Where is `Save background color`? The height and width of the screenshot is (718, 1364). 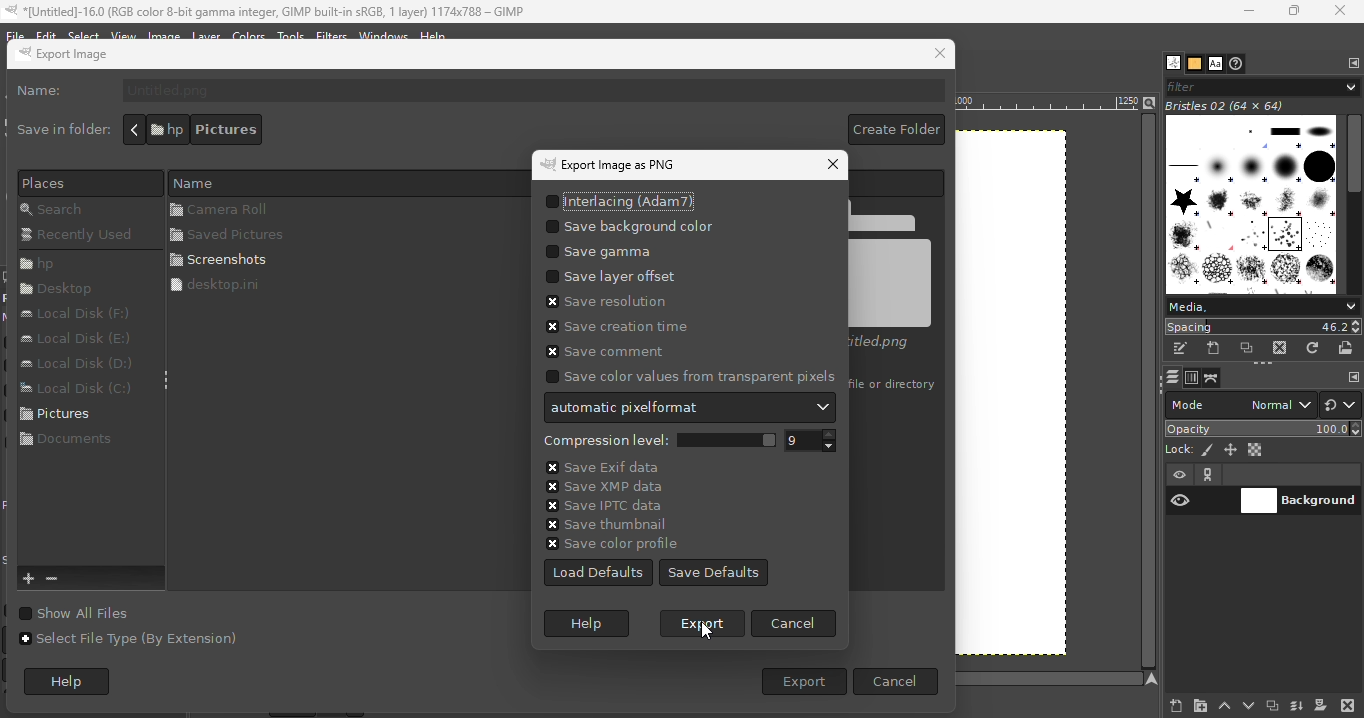
Save background color is located at coordinates (632, 224).